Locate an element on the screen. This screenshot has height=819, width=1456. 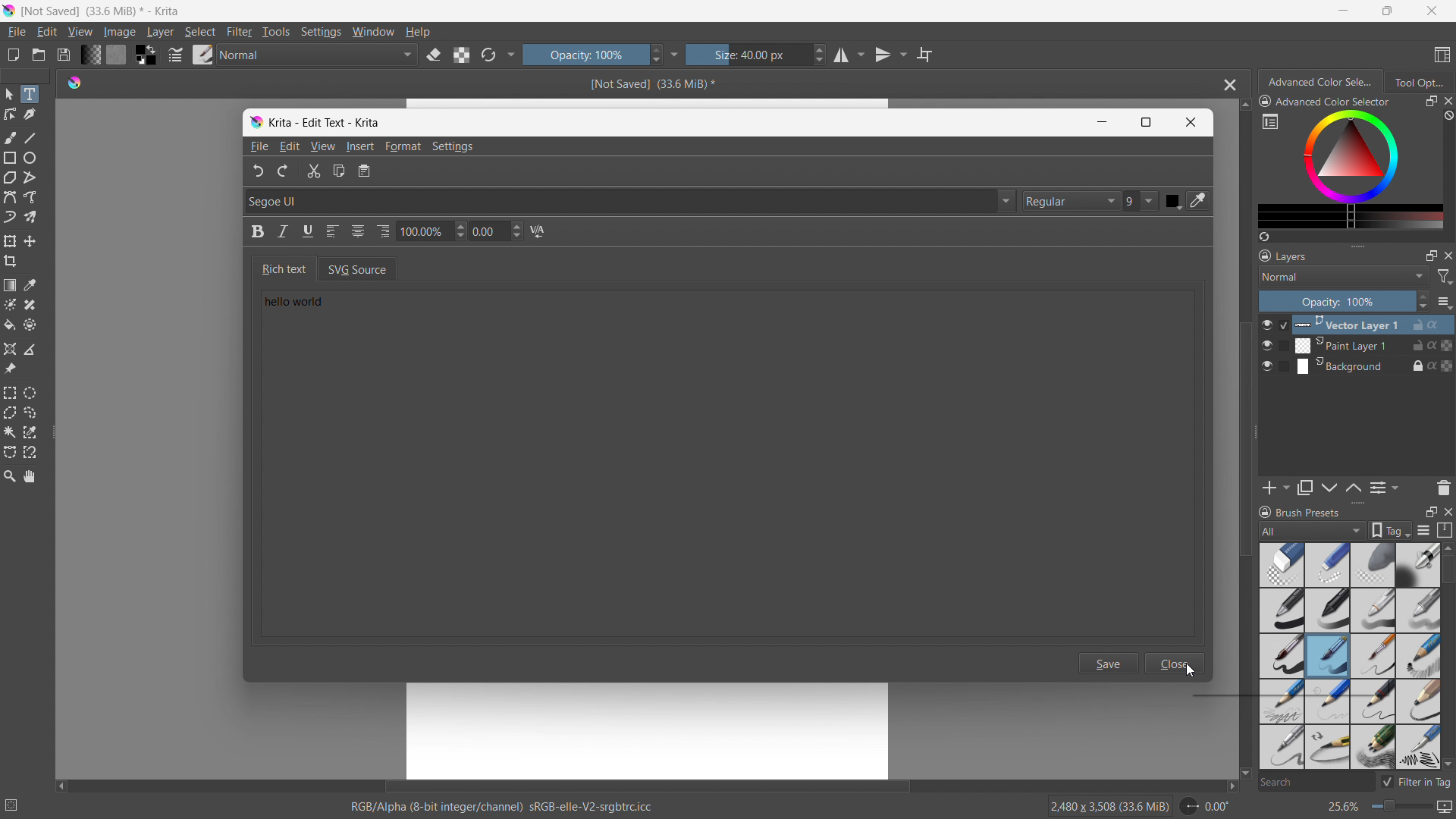
layers is located at coordinates (1283, 255).